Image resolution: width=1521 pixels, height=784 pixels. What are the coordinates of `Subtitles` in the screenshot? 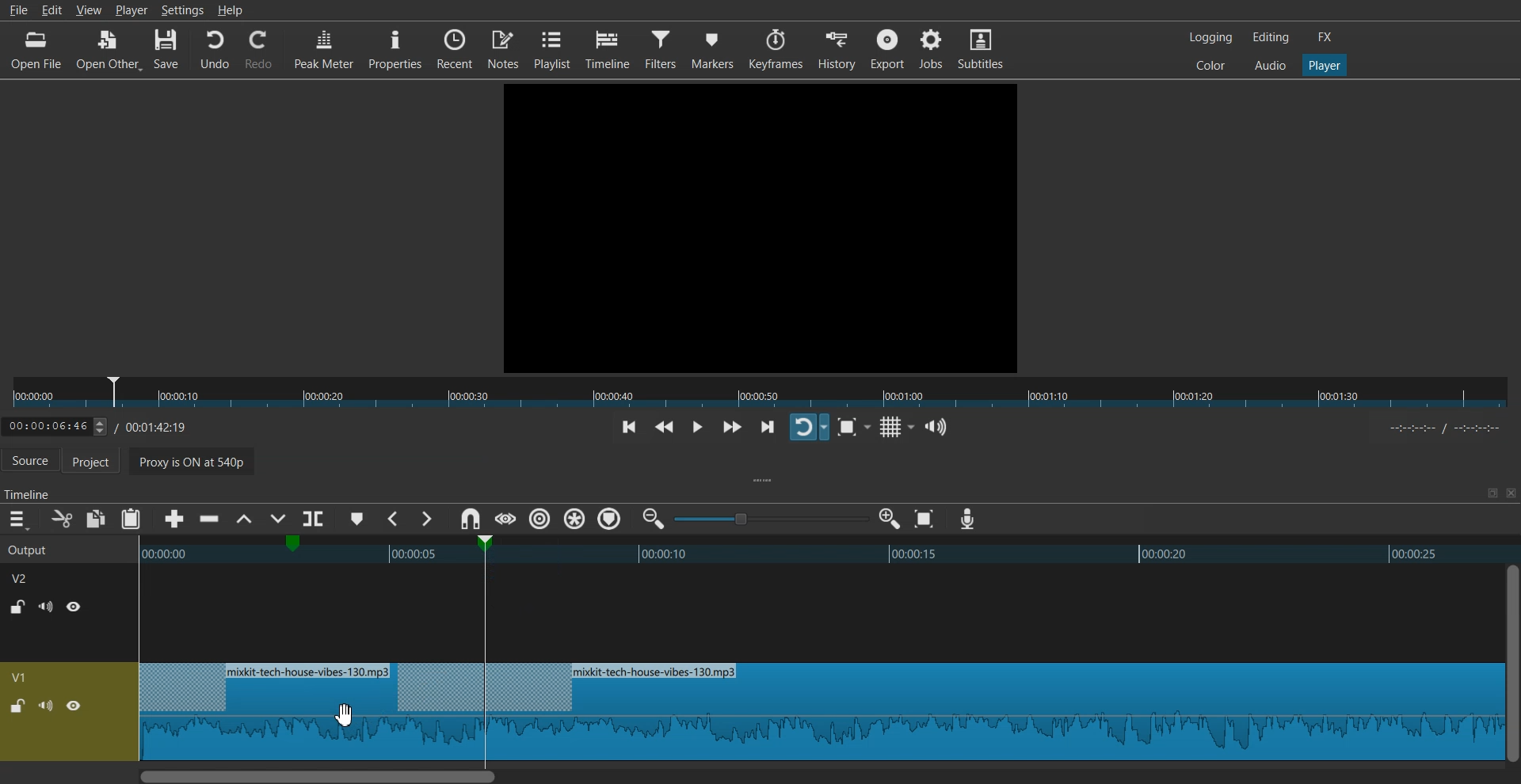 It's located at (981, 48).